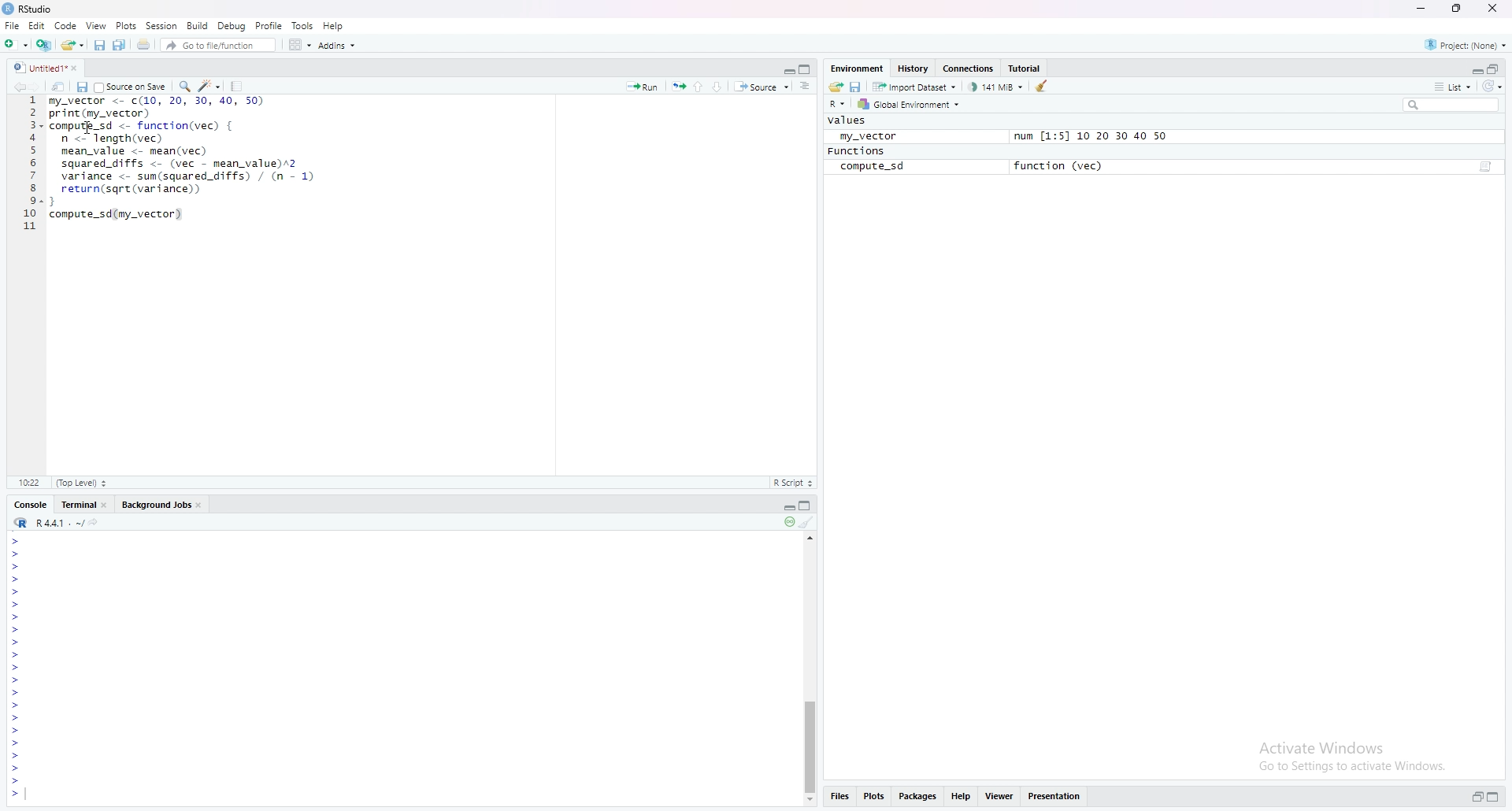 The image size is (1512, 811). What do you see at coordinates (812, 536) in the screenshot?
I see `Up` at bounding box center [812, 536].